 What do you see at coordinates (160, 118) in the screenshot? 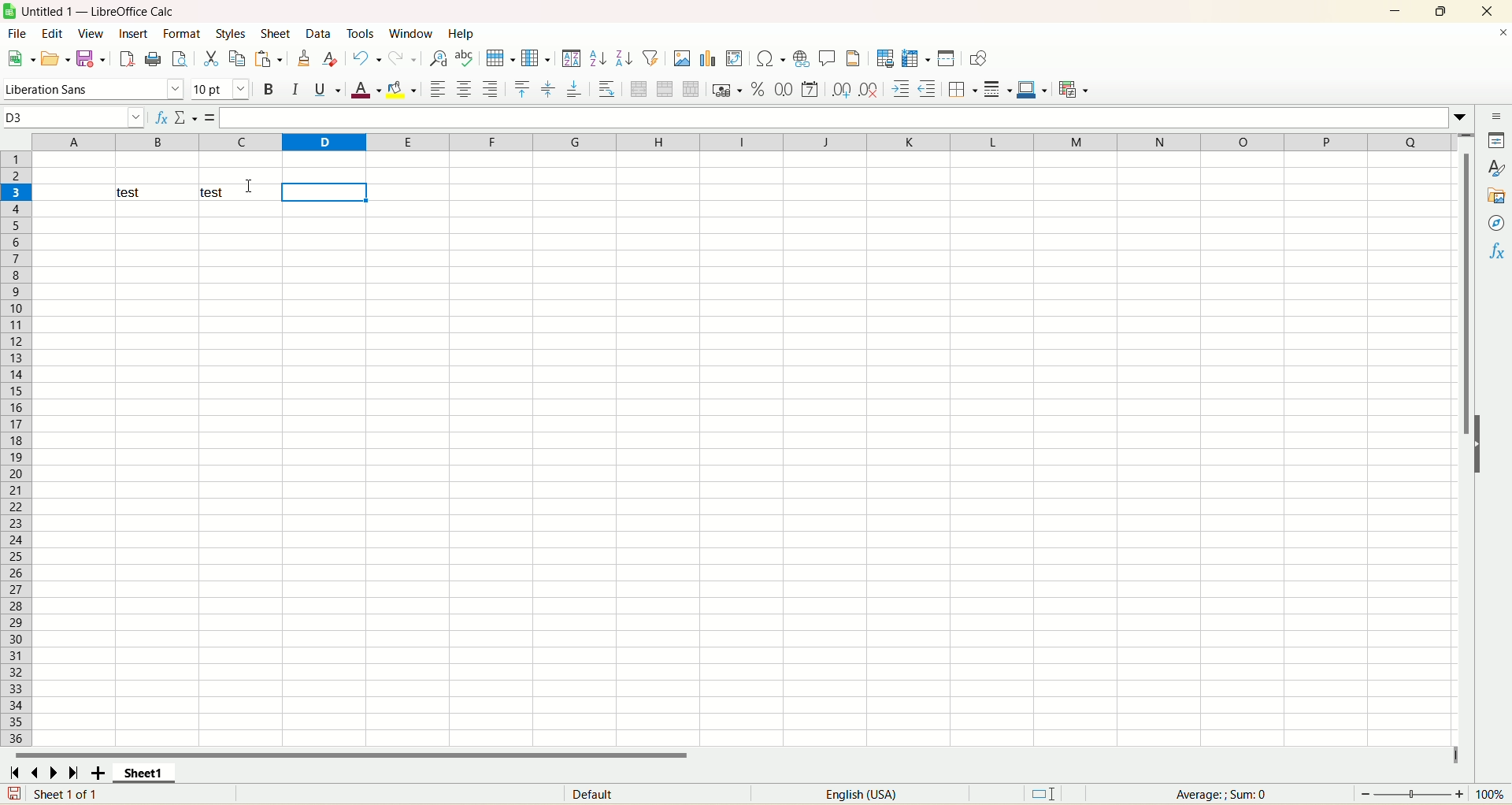
I see `function wizard` at bounding box center [160, 118].